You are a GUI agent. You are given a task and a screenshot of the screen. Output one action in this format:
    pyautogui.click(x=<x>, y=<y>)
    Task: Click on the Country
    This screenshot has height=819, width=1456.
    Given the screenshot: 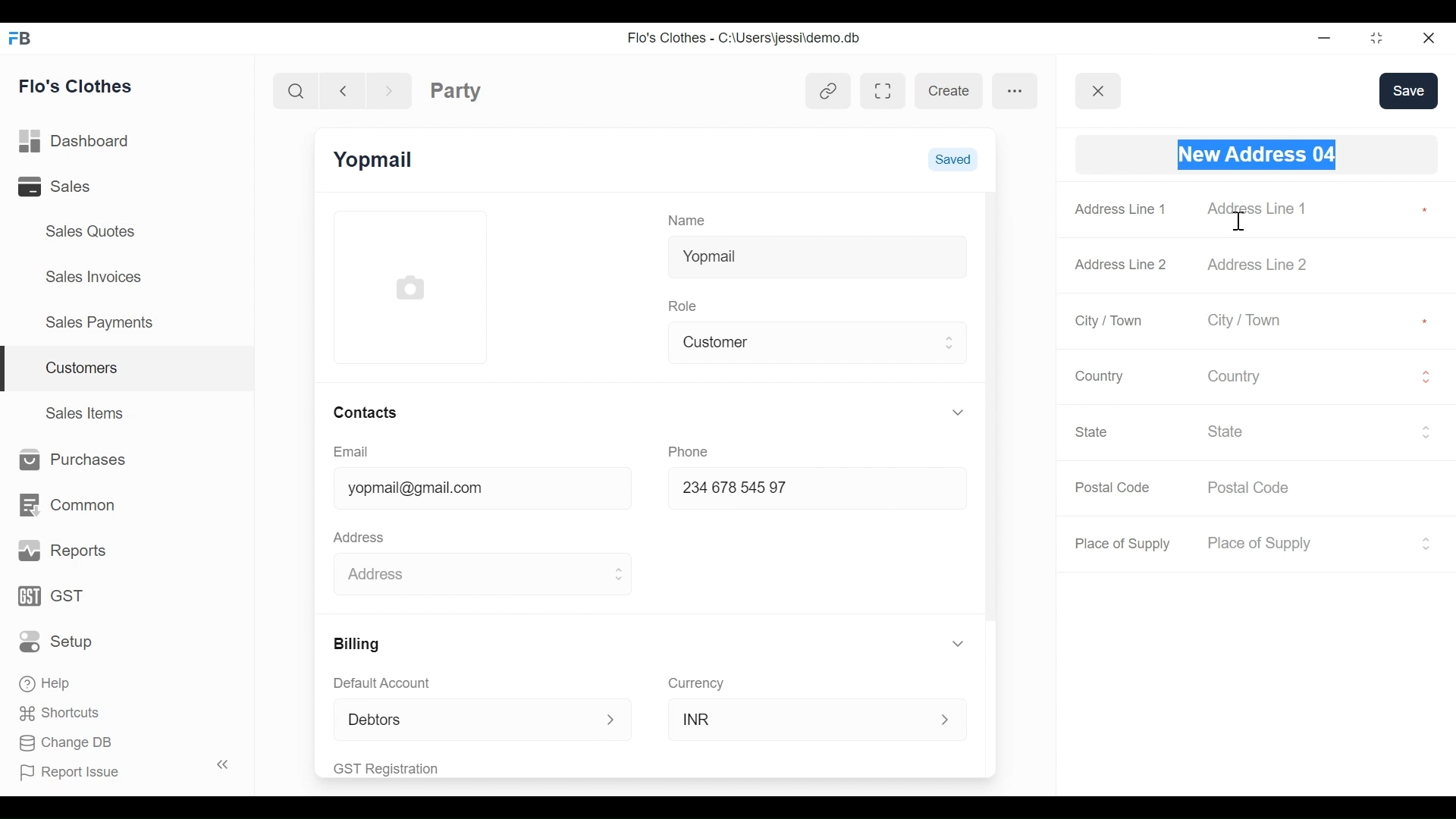 What is the action you would take?
    pyautogui.click(x=1097, y=375)
    